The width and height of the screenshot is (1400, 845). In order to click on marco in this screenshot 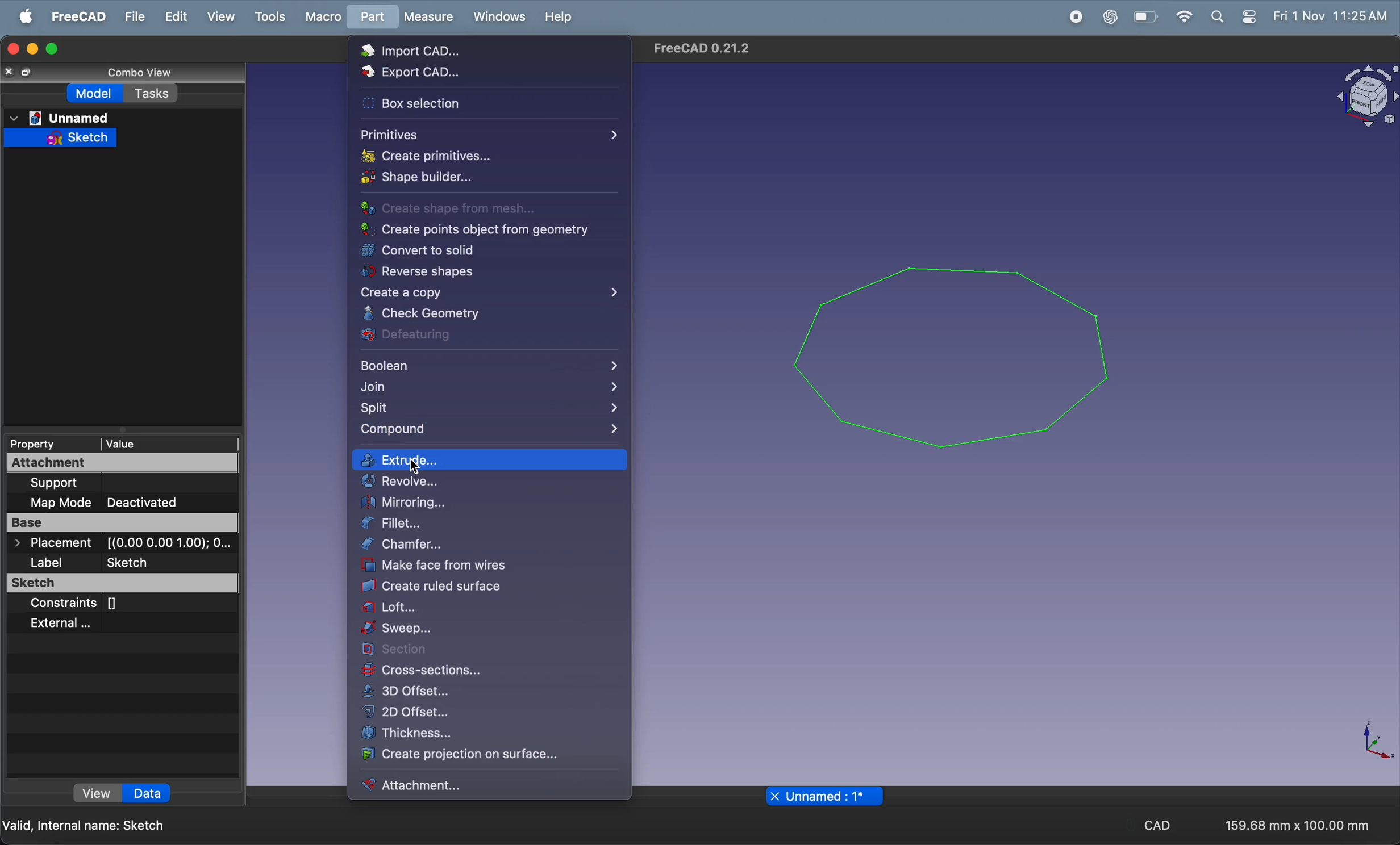, I will do `click(322, 17)`.